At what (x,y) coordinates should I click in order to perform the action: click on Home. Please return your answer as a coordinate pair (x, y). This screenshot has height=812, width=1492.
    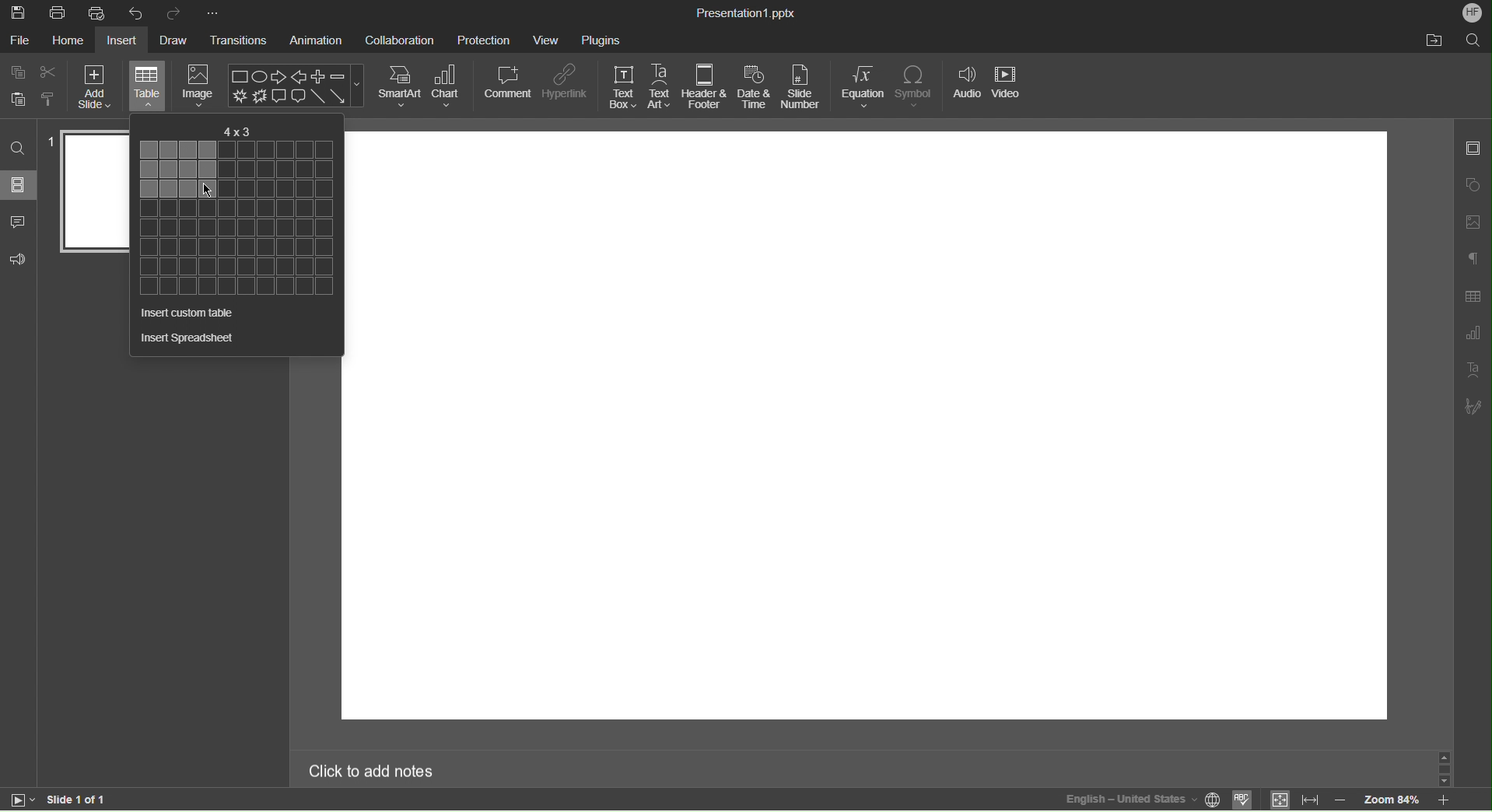
    Looking at the image, I should click on (71, 42).